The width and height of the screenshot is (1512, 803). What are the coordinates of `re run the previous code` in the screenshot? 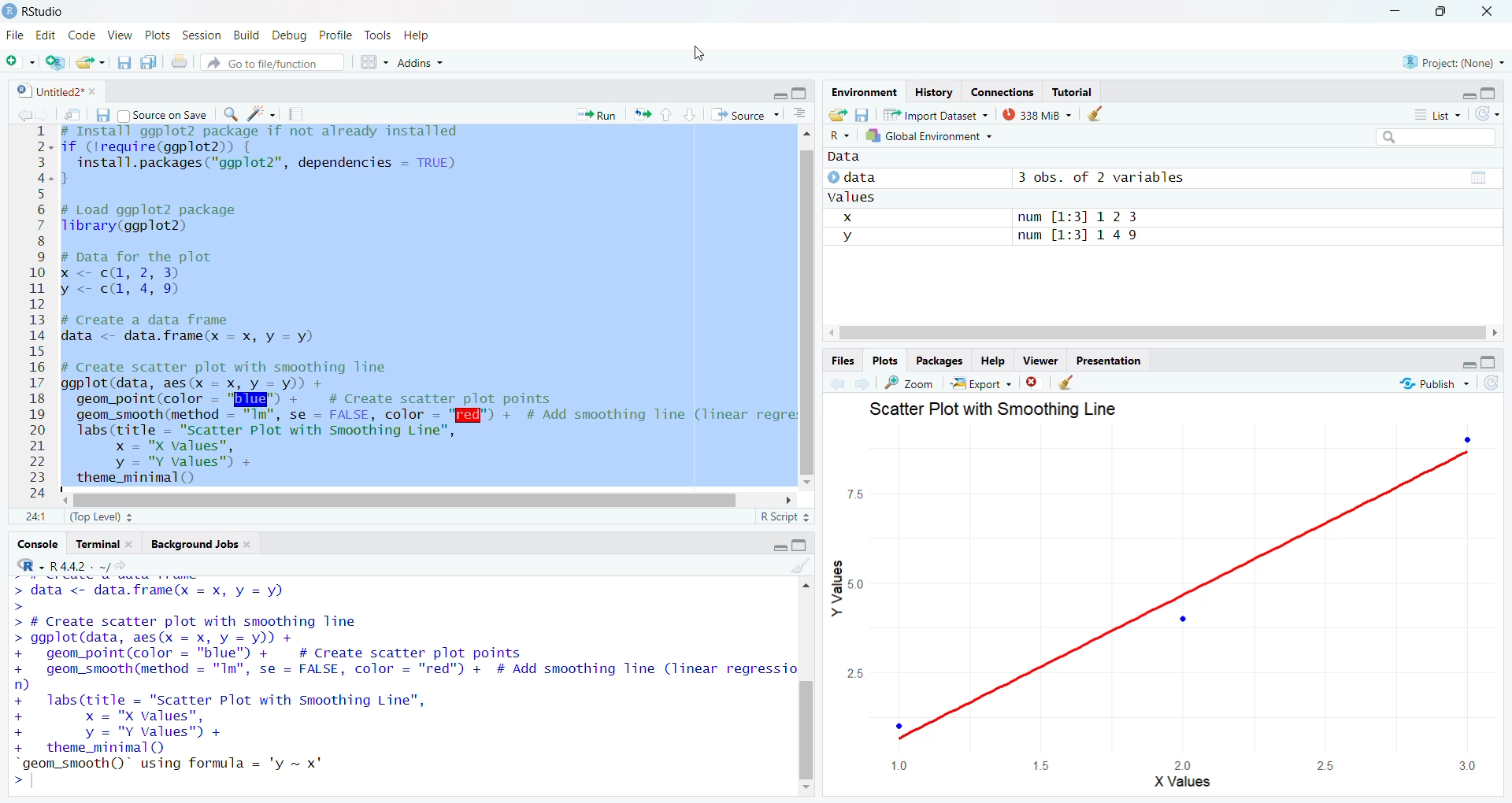 It's located at (639, 114).